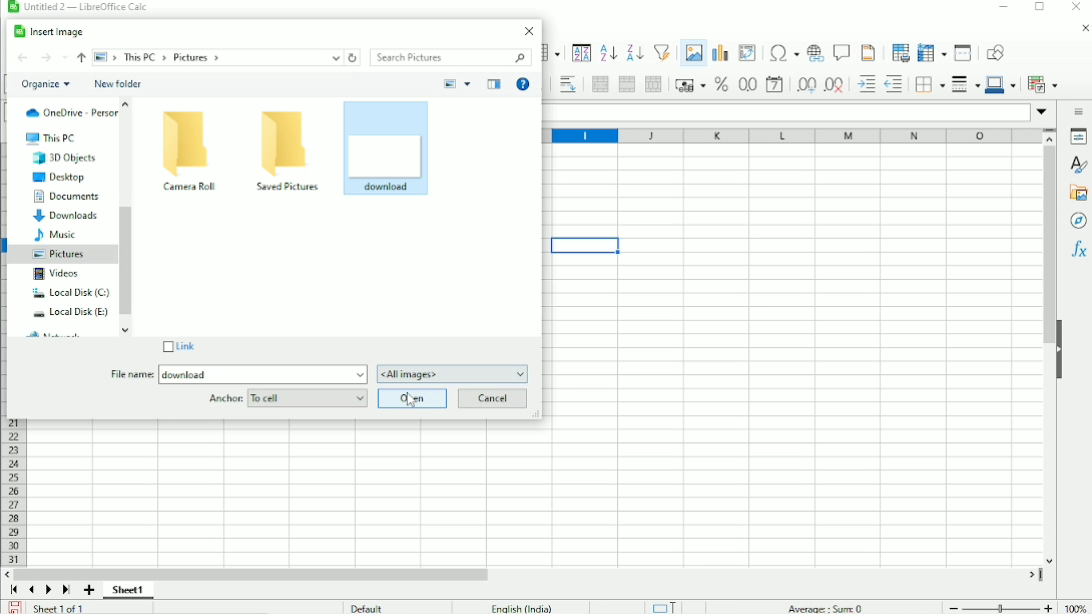 This screenshot has height=614, width=1092. What do you see at coordinates (69, 292) in the screenshot?
I see `Local Disk (C:)` at bounding box center [69, 292].